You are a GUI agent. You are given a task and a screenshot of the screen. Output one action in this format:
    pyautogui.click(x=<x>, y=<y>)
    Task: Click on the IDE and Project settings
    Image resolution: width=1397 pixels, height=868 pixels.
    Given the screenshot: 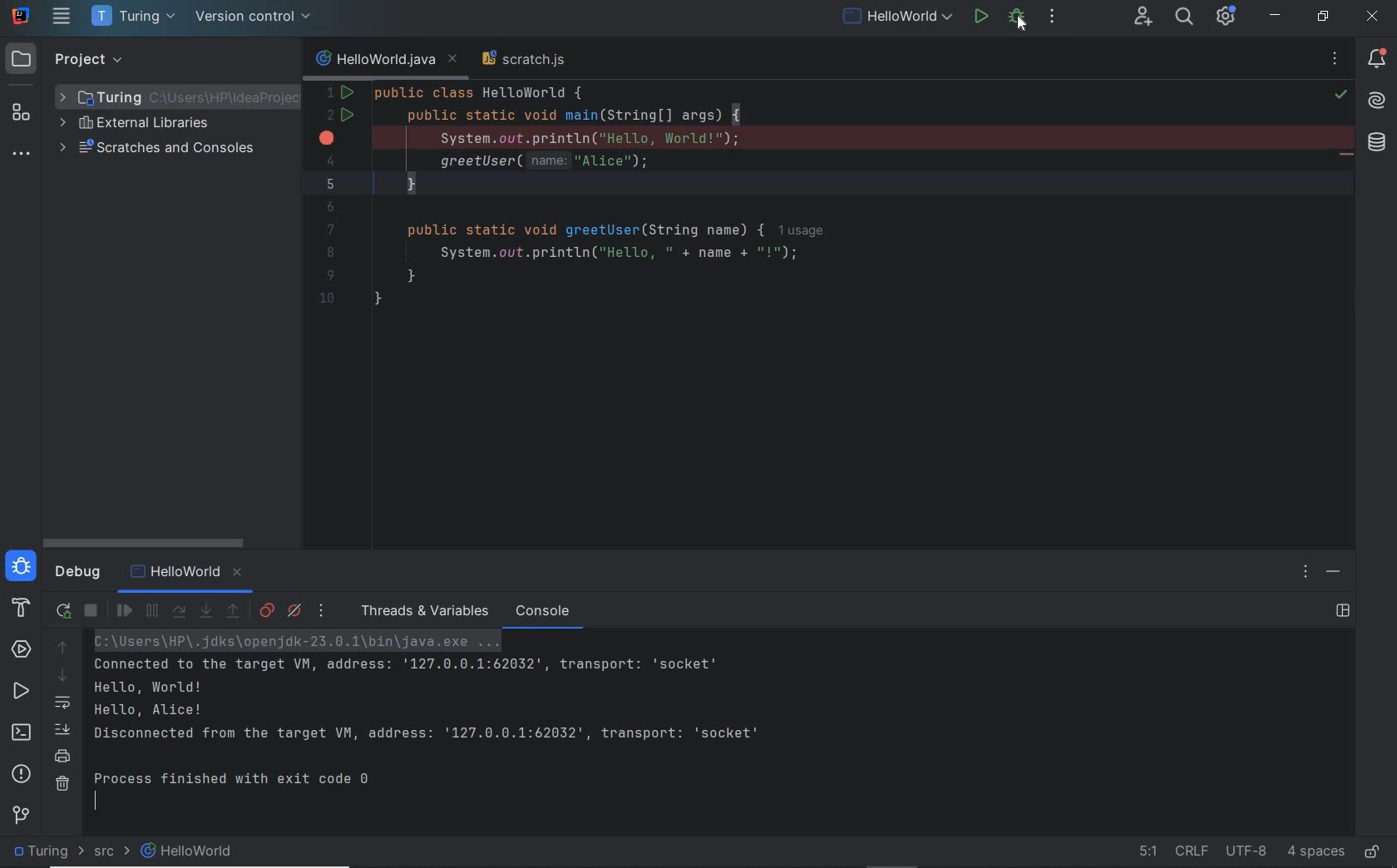 What is the action you would take?
    pyautogui.click(x=1226, y=17)
    